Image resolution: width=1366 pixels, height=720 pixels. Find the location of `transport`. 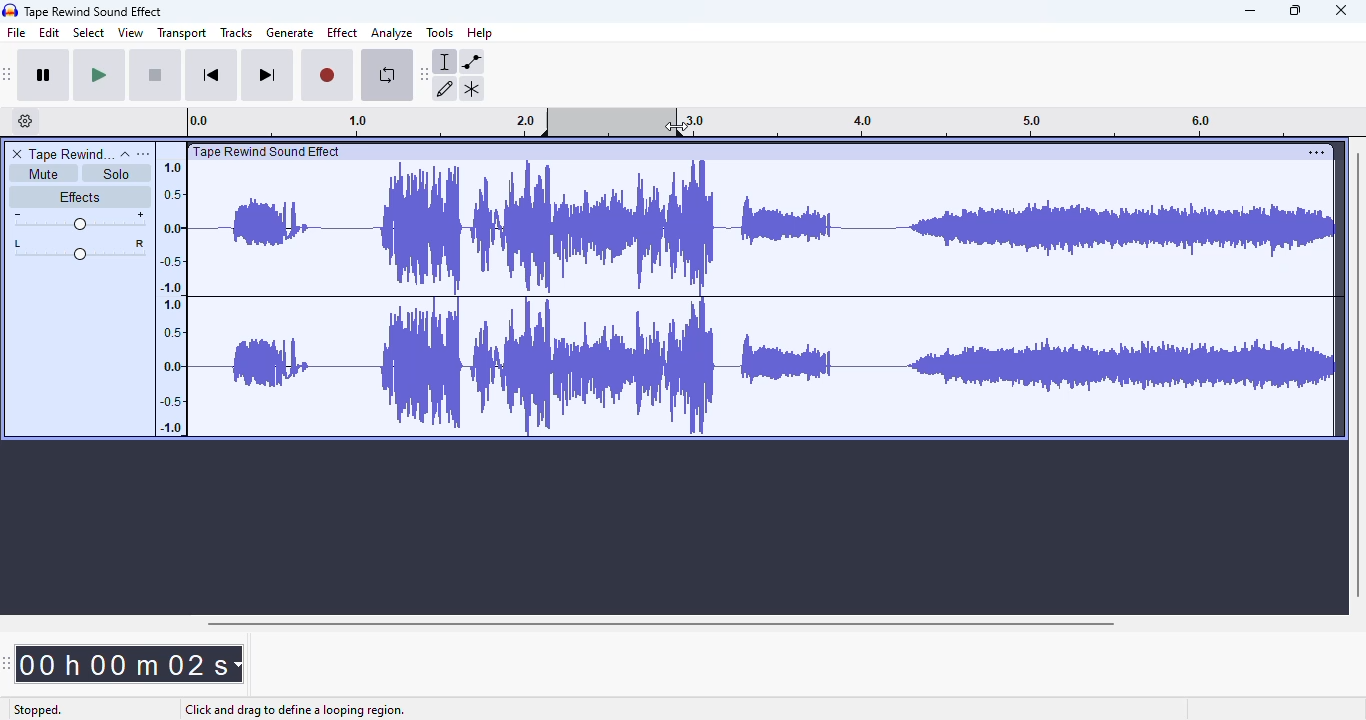

transport is located at coordinates (181, 34).